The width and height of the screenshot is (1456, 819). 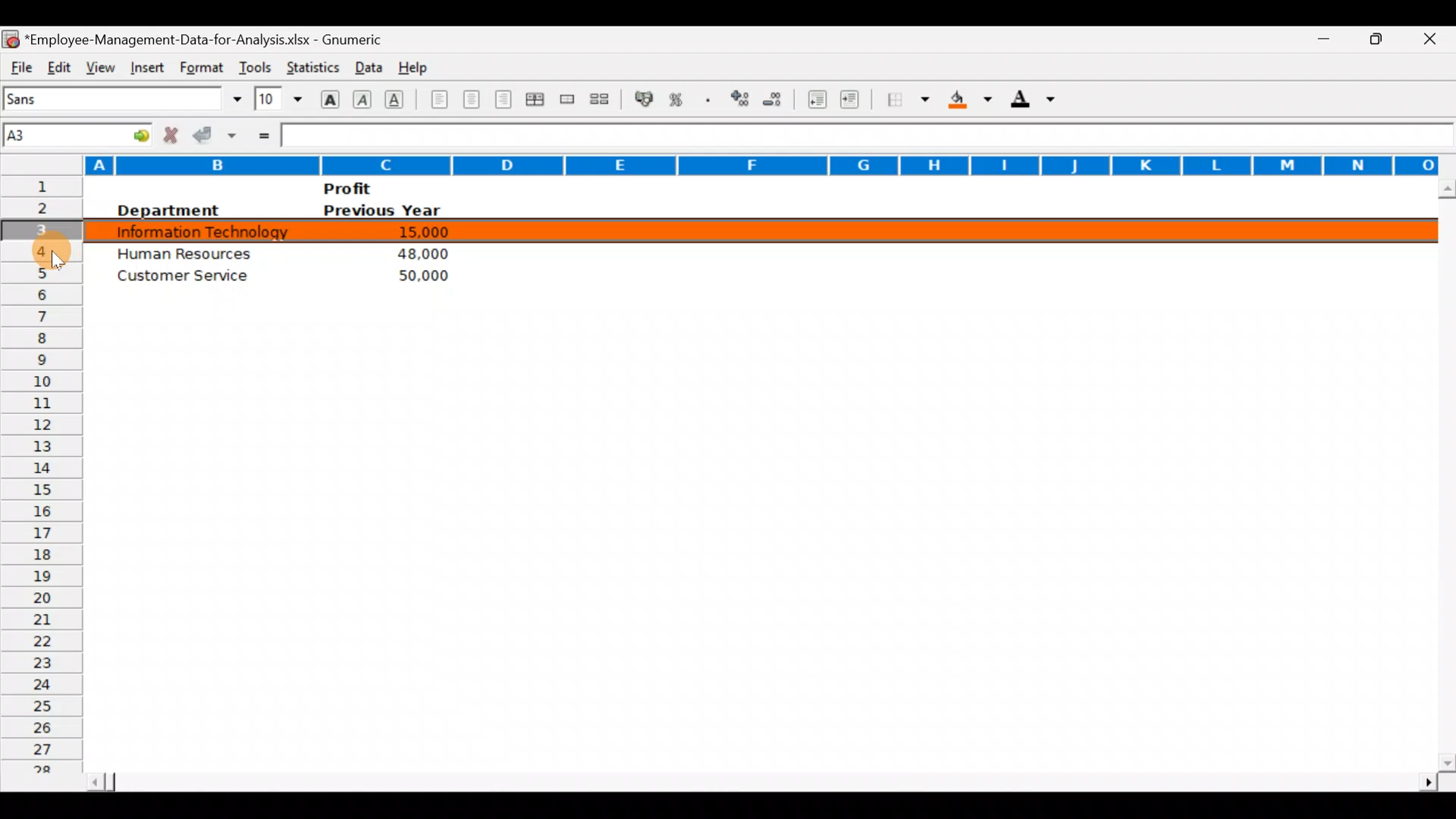 What do you see at coordinates (186, 253) in the screenshot?
I see `Human Resources` at bounding box center [186, 253].